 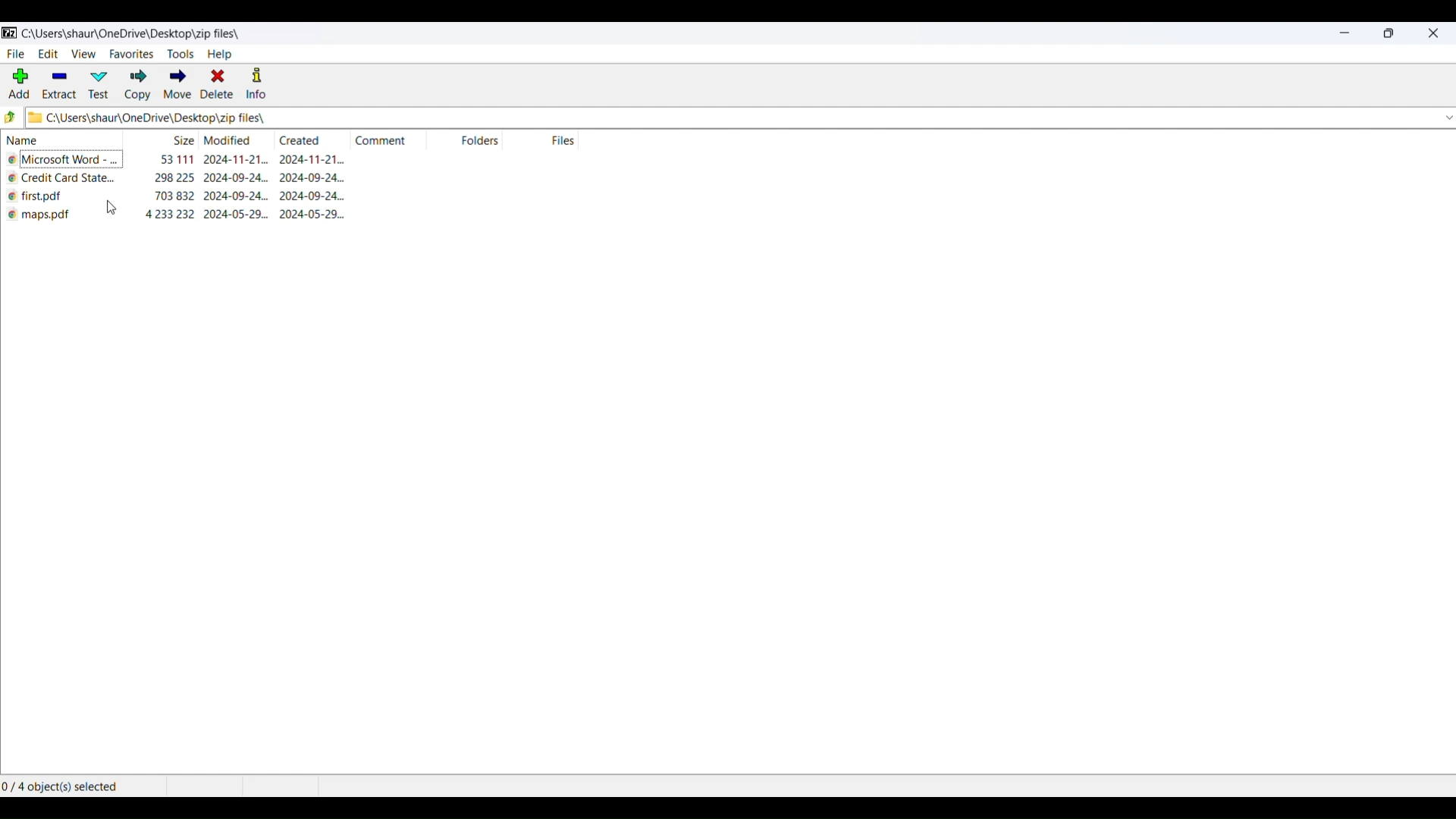 What do you see at coordinates (239, 160) in the screenshot?
I see `file modification date` at bounding box center [239, 160].